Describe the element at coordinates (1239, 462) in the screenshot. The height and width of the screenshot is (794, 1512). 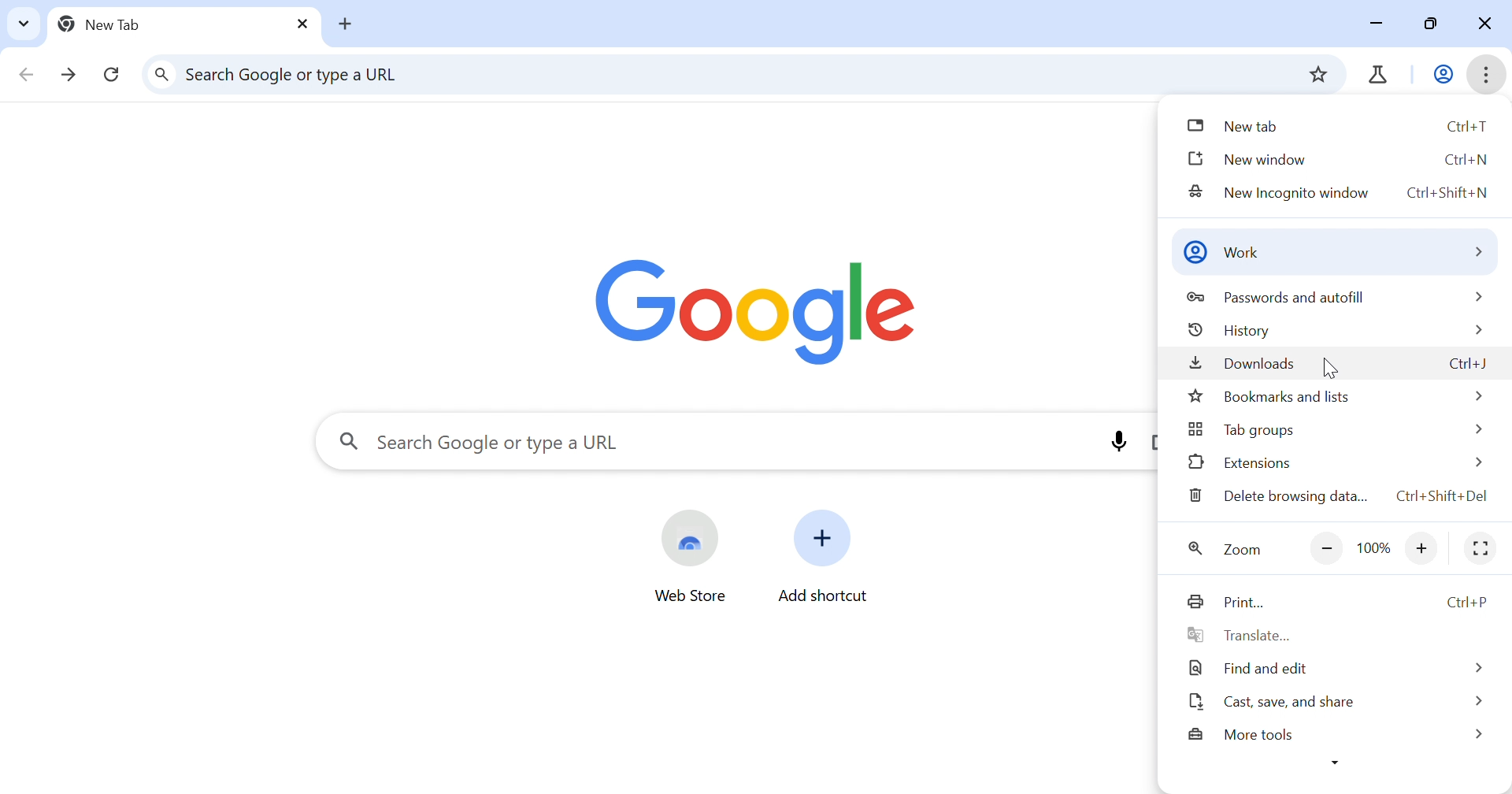
I see `Extensions` at that location.